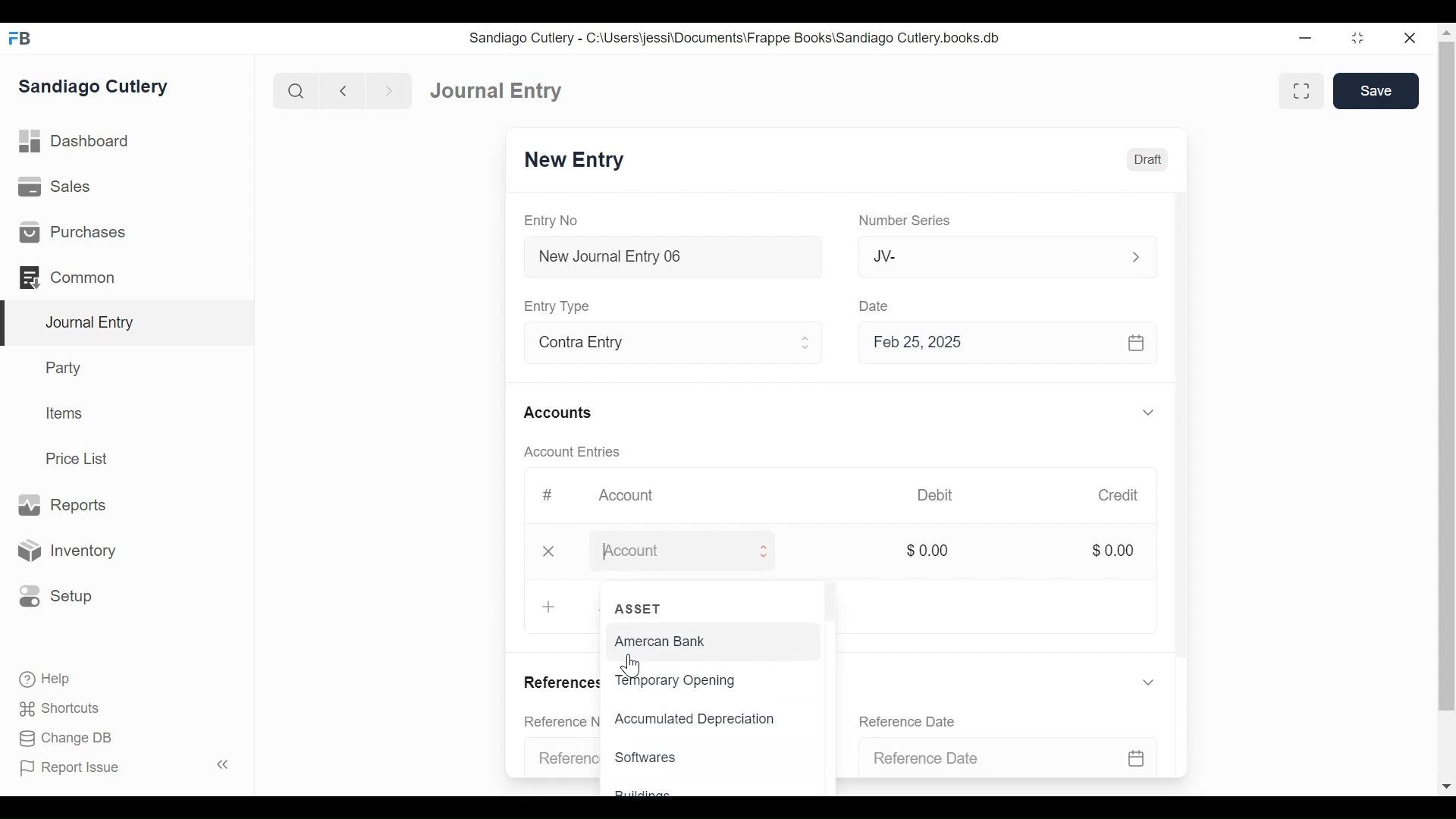 The height and width of the screenshot is (819, 1456). What do you see at coordinates (43, 678) in the screenshot?
I see `Help` at bounding box center [43, 678].